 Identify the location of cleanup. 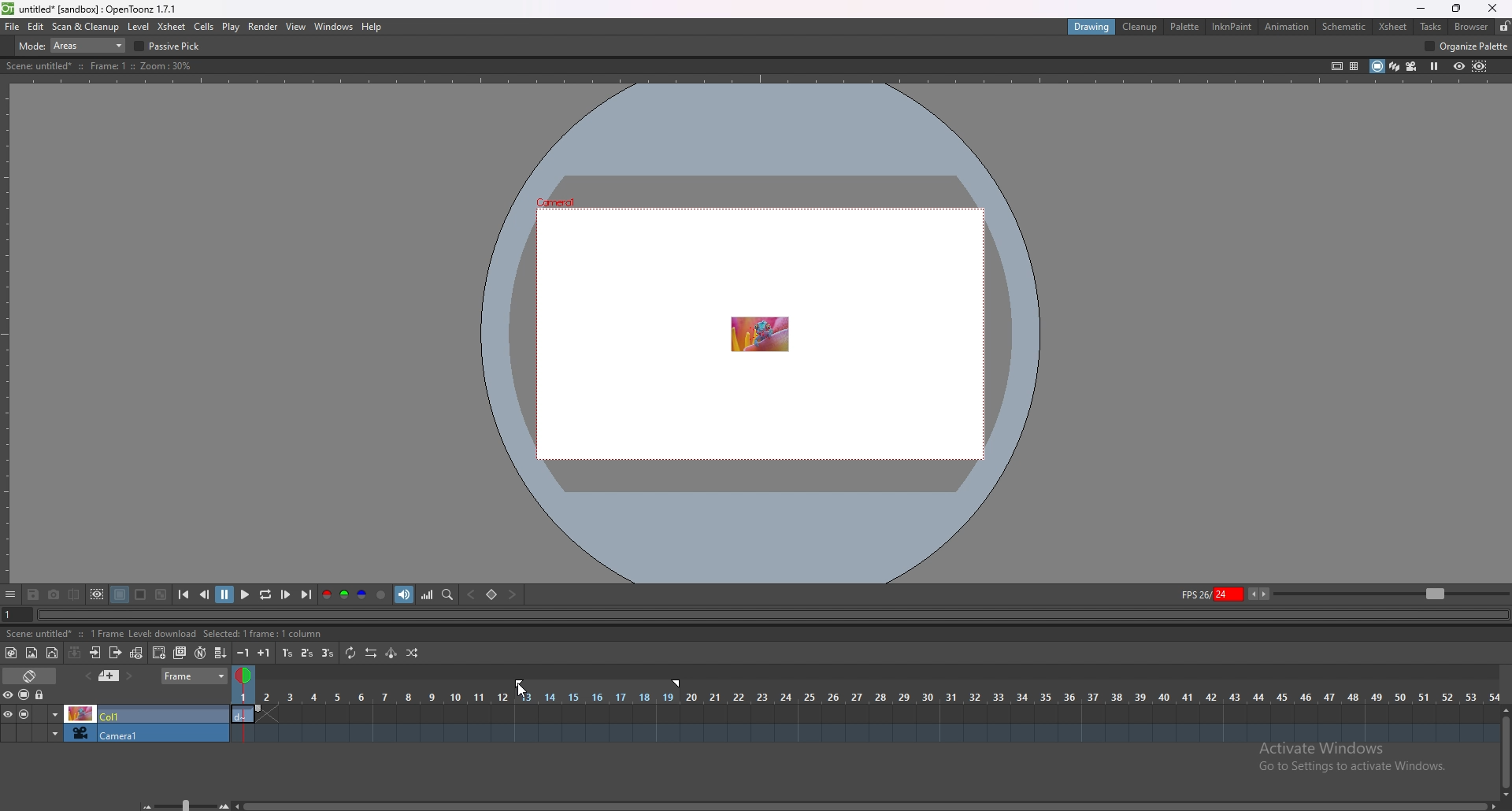
(1141, 27).